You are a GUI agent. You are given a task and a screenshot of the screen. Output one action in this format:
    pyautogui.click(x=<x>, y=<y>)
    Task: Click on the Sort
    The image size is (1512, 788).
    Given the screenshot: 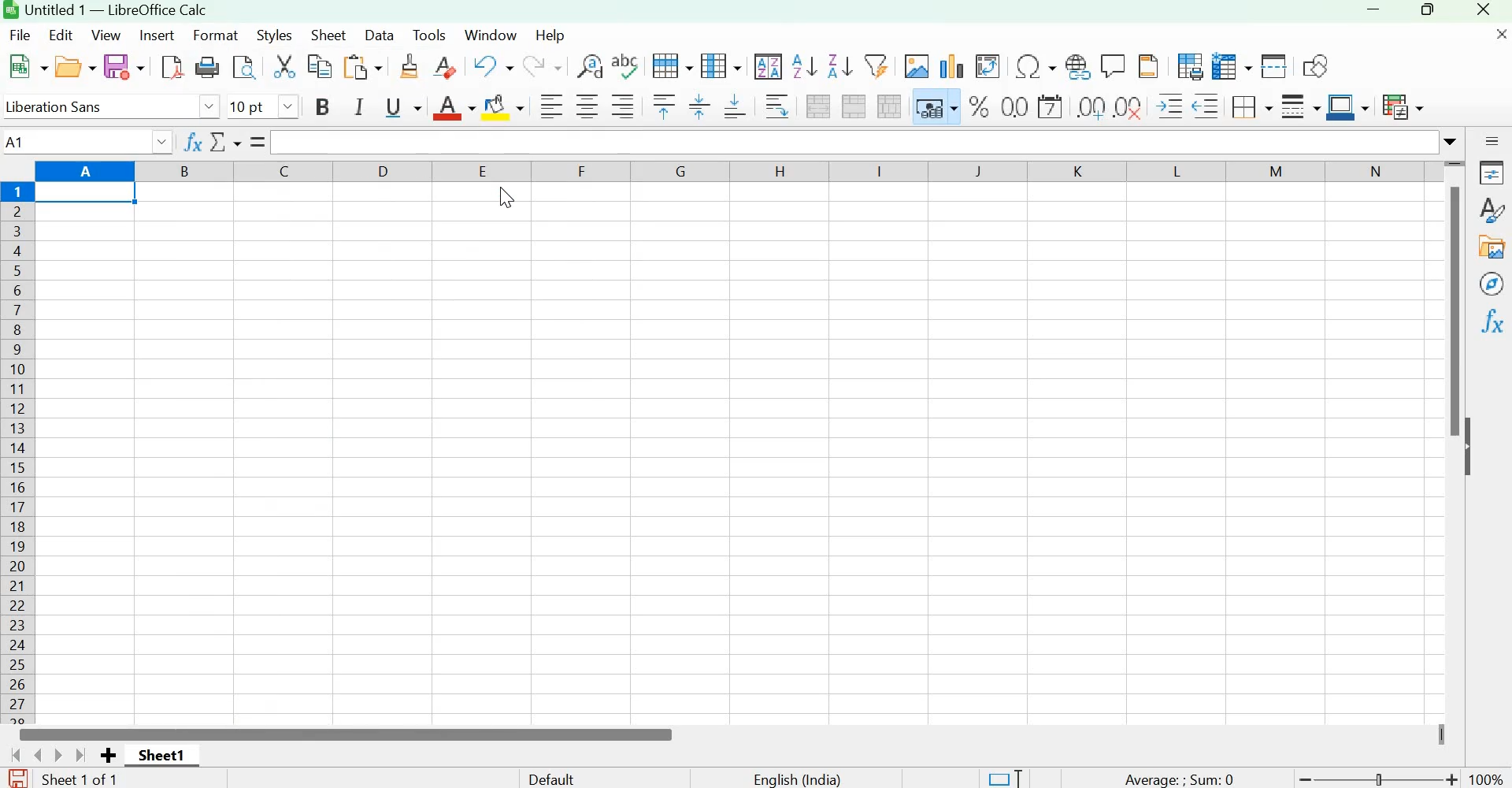 What is the action you would take?
    pyautogui.click(x=769, y=66)
    